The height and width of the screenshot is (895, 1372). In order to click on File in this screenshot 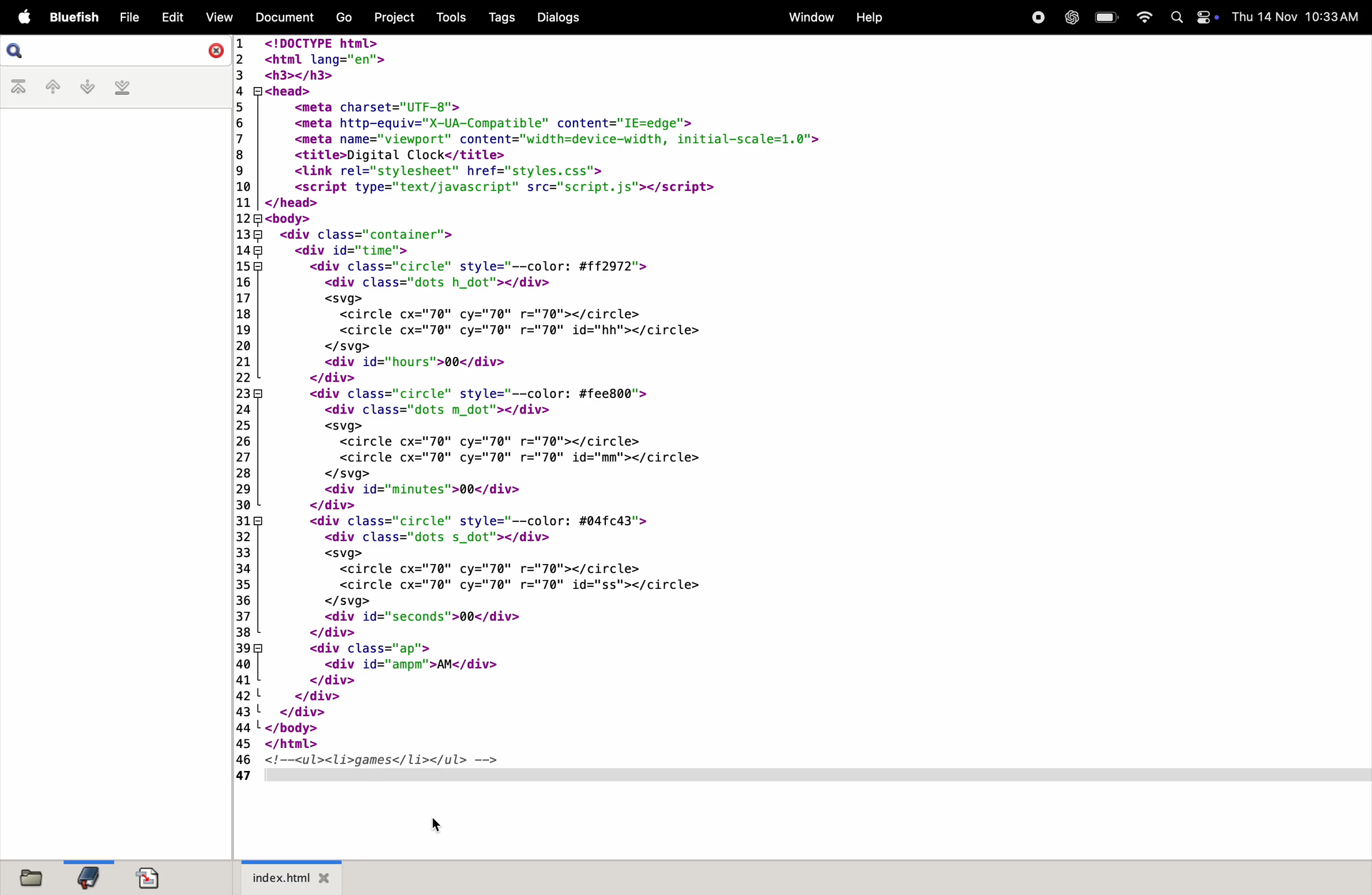, I will do `click(130, 17)`.